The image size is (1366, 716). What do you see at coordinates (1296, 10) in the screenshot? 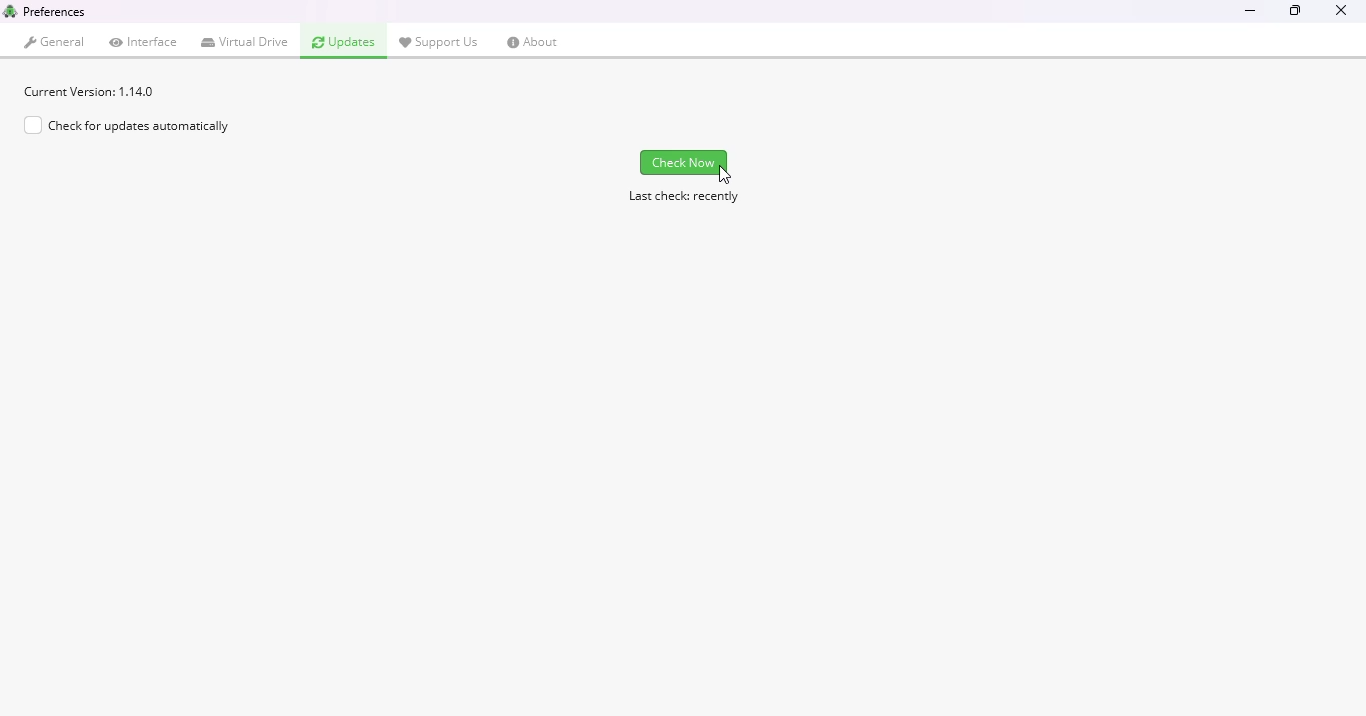
I see `maximize` at bounding box center [1296, 10].